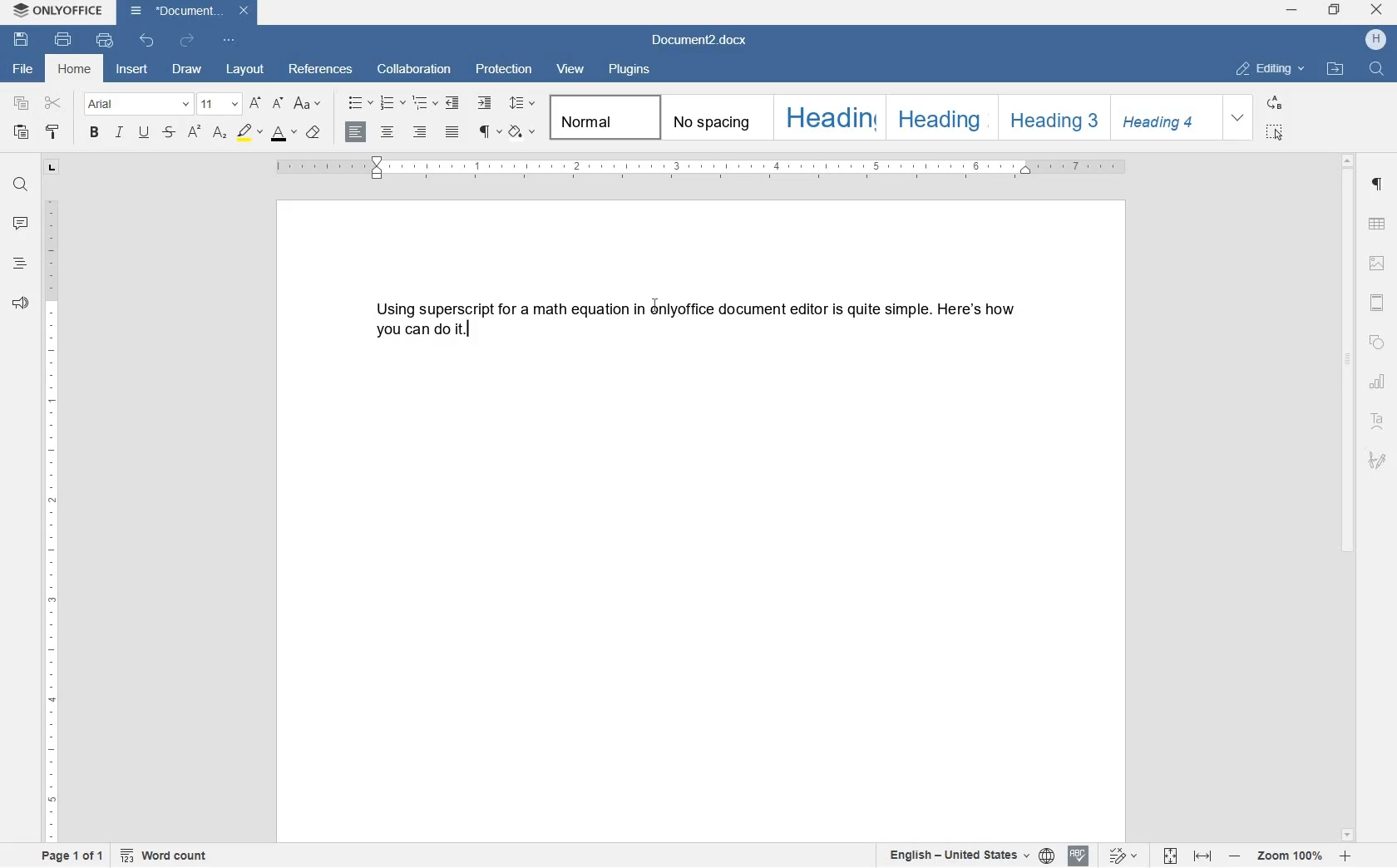  What do you see at coordinates (484, 103) in the screenshot?
I see `increase indent` at bounding box center [484, 103].